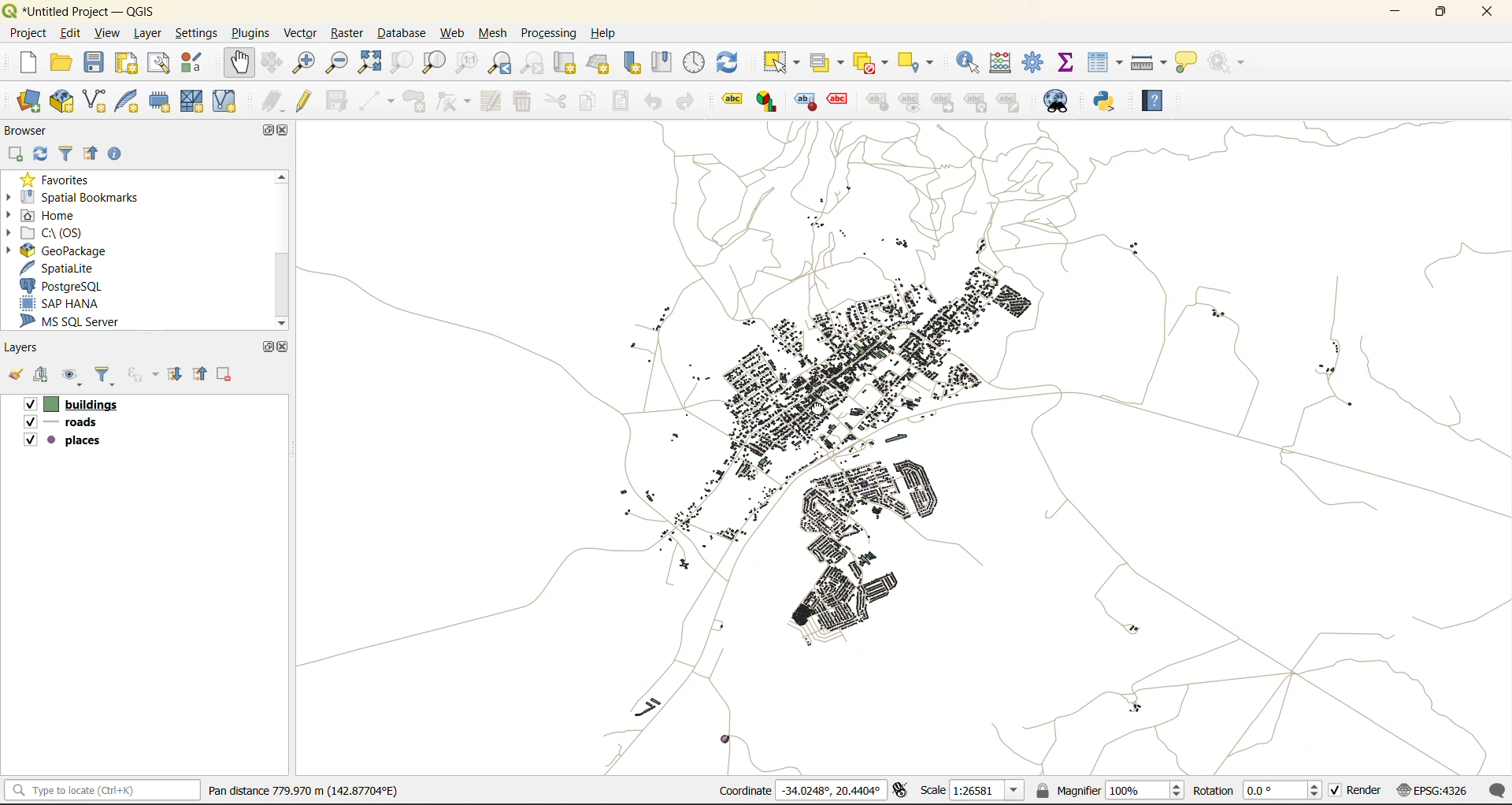 The image size is (1512, 805). I want to click on Effect, so click(843, 99).